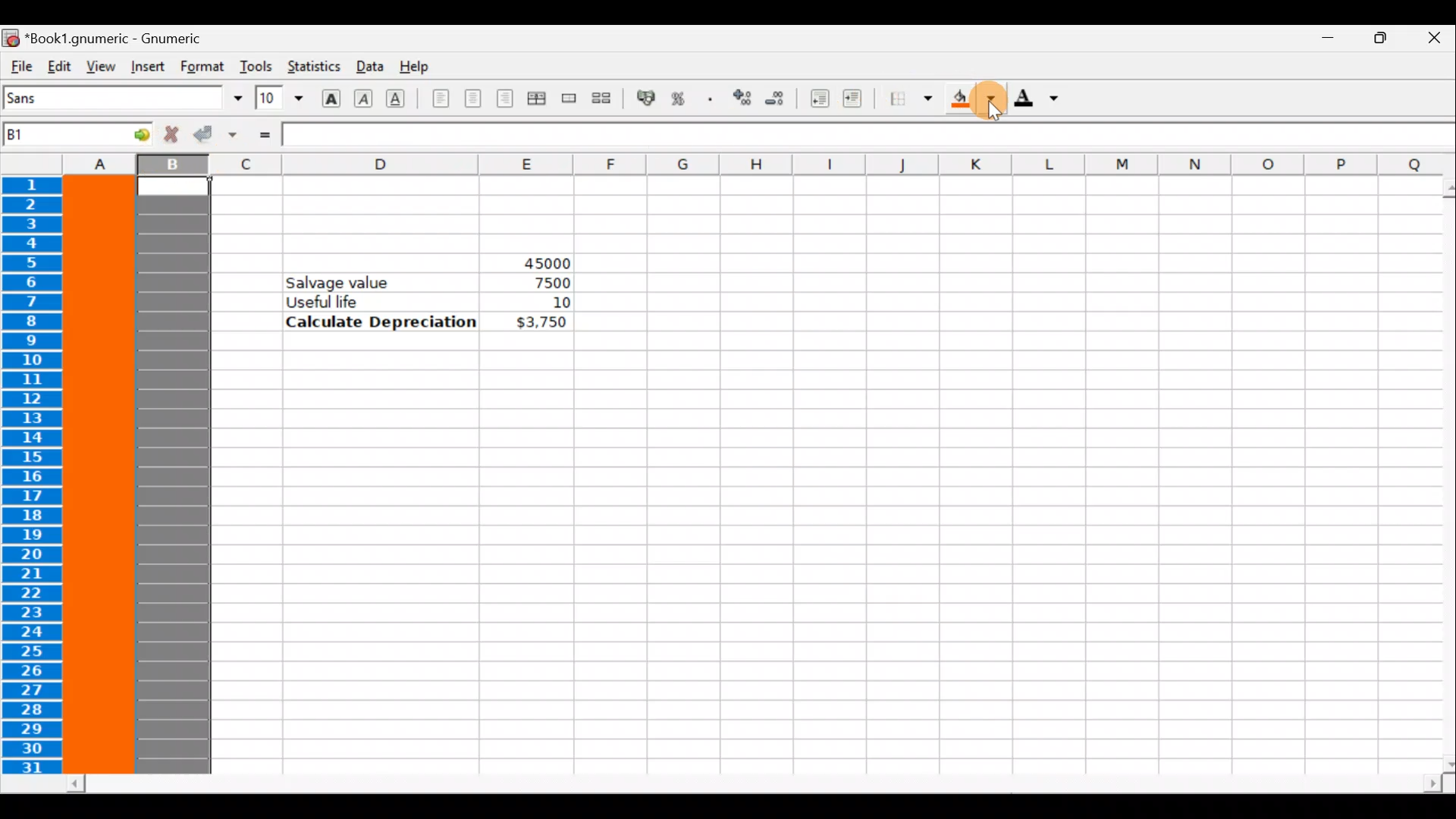  I want to click on Font size 10, so click(275, 99).